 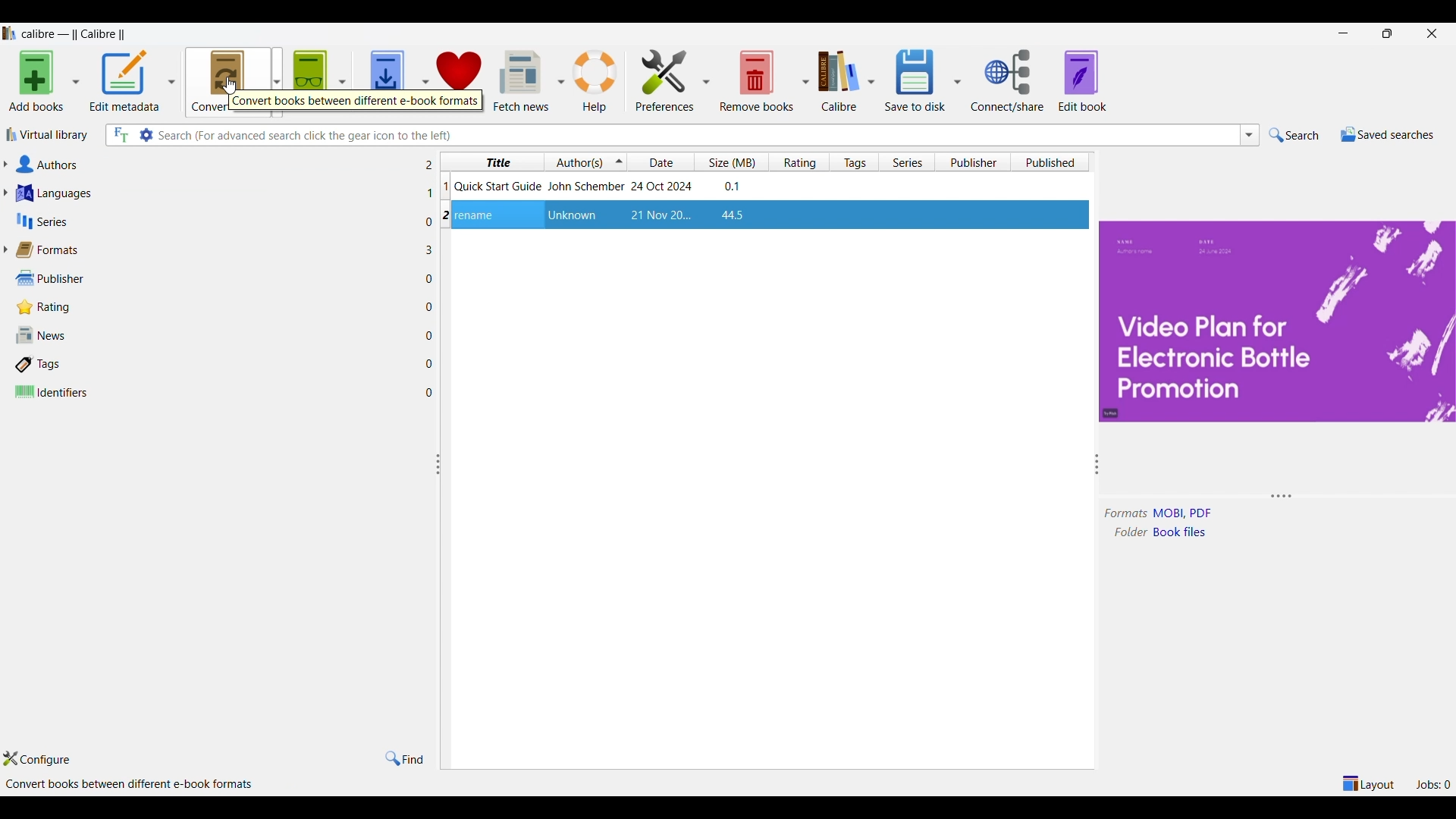 I want to click on Remove book options, so click(x=805, y=82).